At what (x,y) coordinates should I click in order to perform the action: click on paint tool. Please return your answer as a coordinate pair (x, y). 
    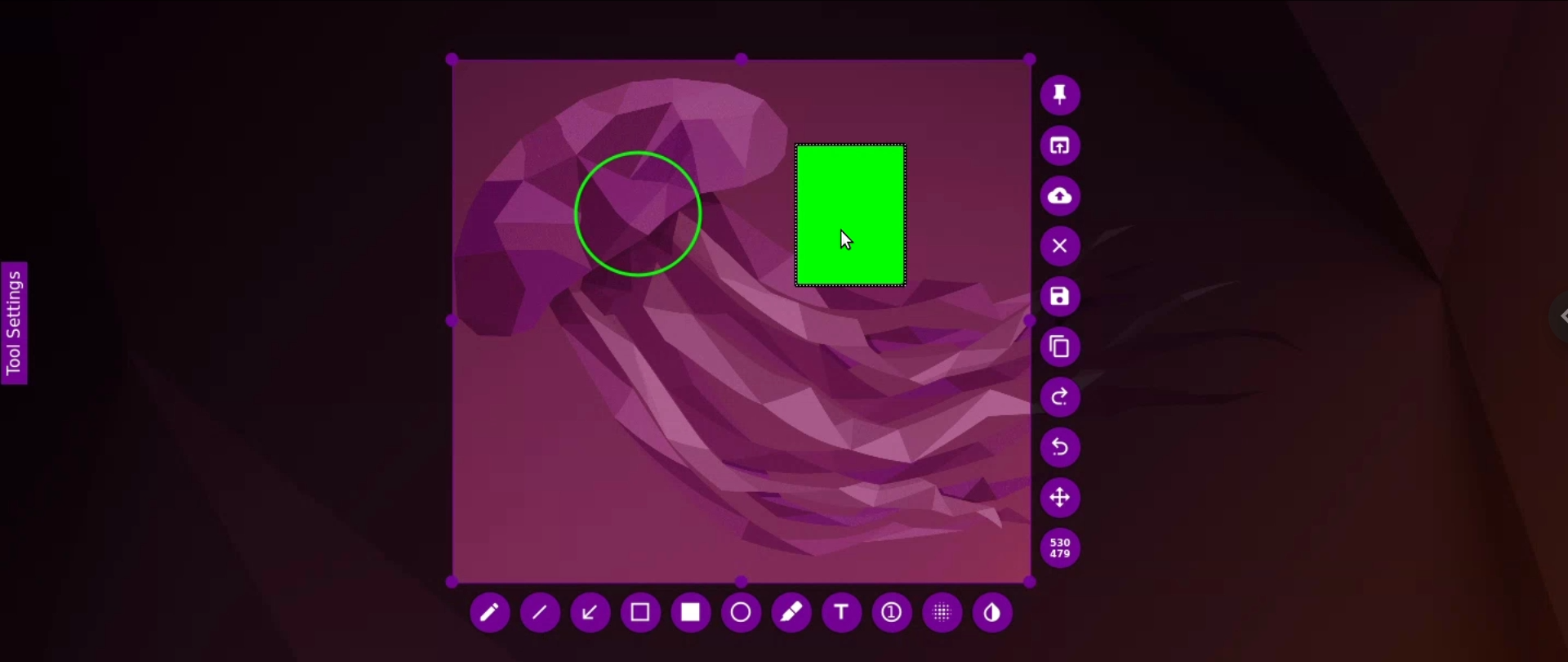
    Looking at the image, I should click on (995, 611).